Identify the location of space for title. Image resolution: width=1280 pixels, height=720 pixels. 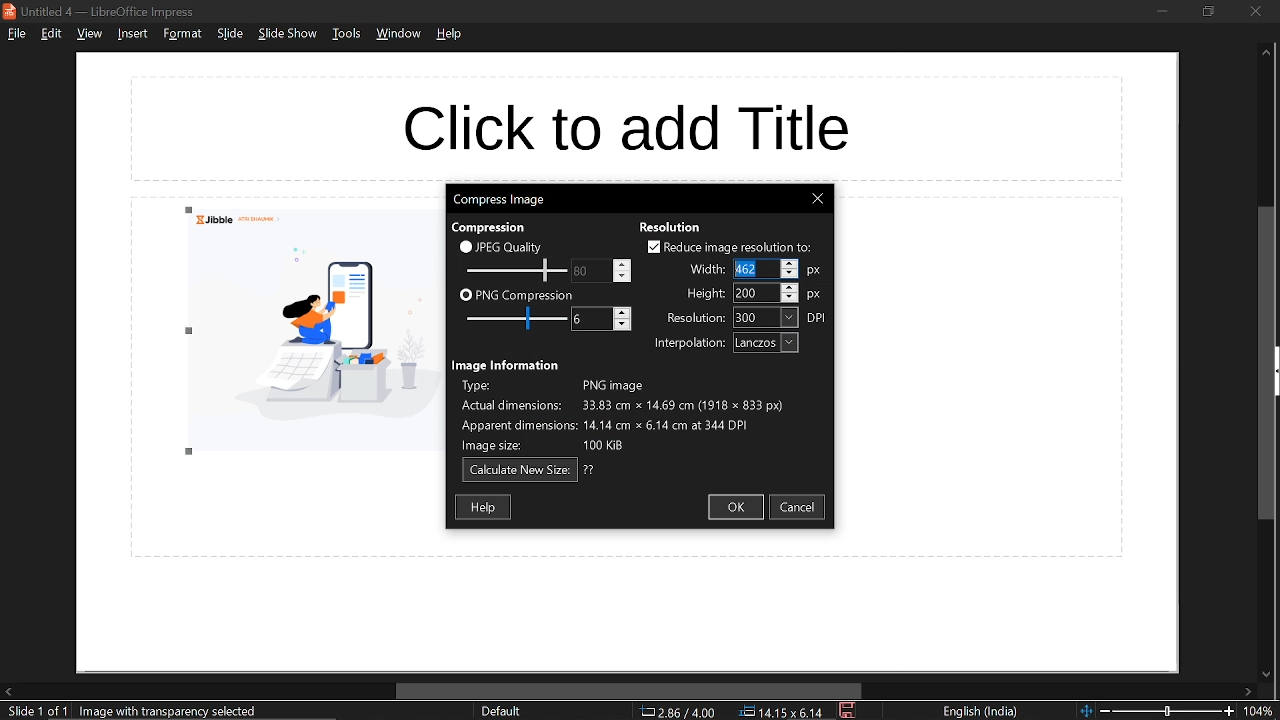
(629, 127).